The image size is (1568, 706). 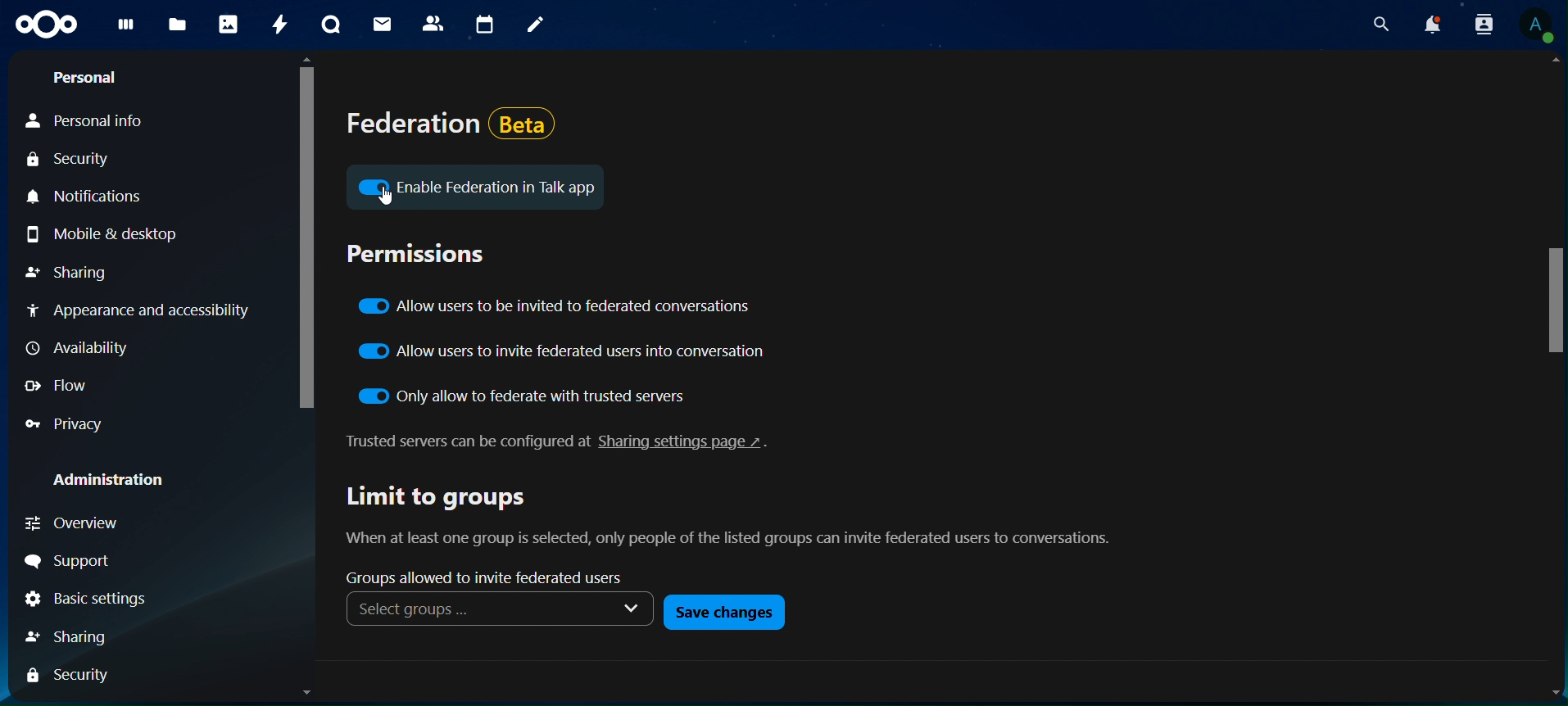 I want to click on Sharing, so click(x=71, y=638).